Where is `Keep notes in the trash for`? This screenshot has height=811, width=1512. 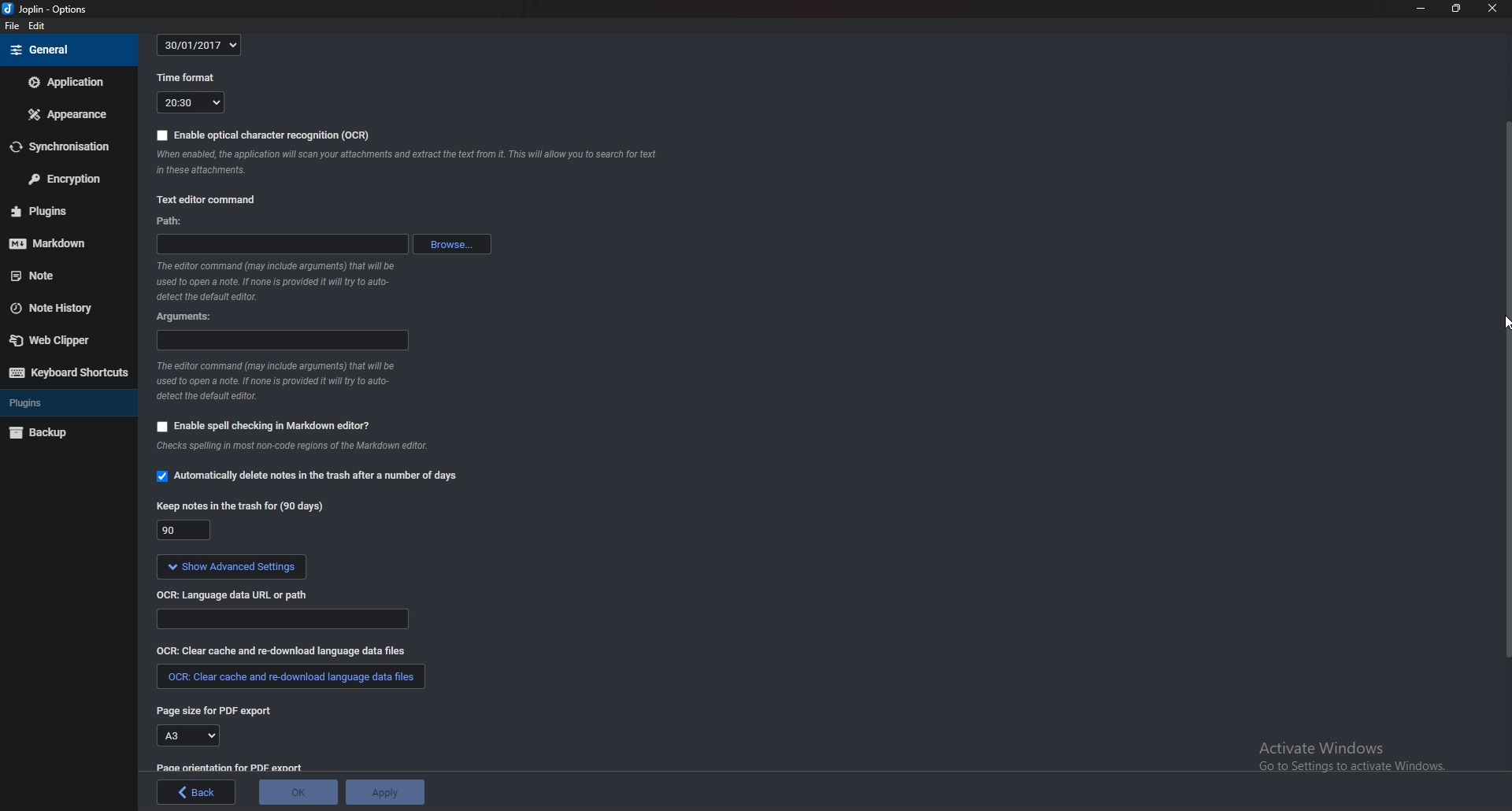 Keep notes in the trash for is located at coordinates (239, 503).